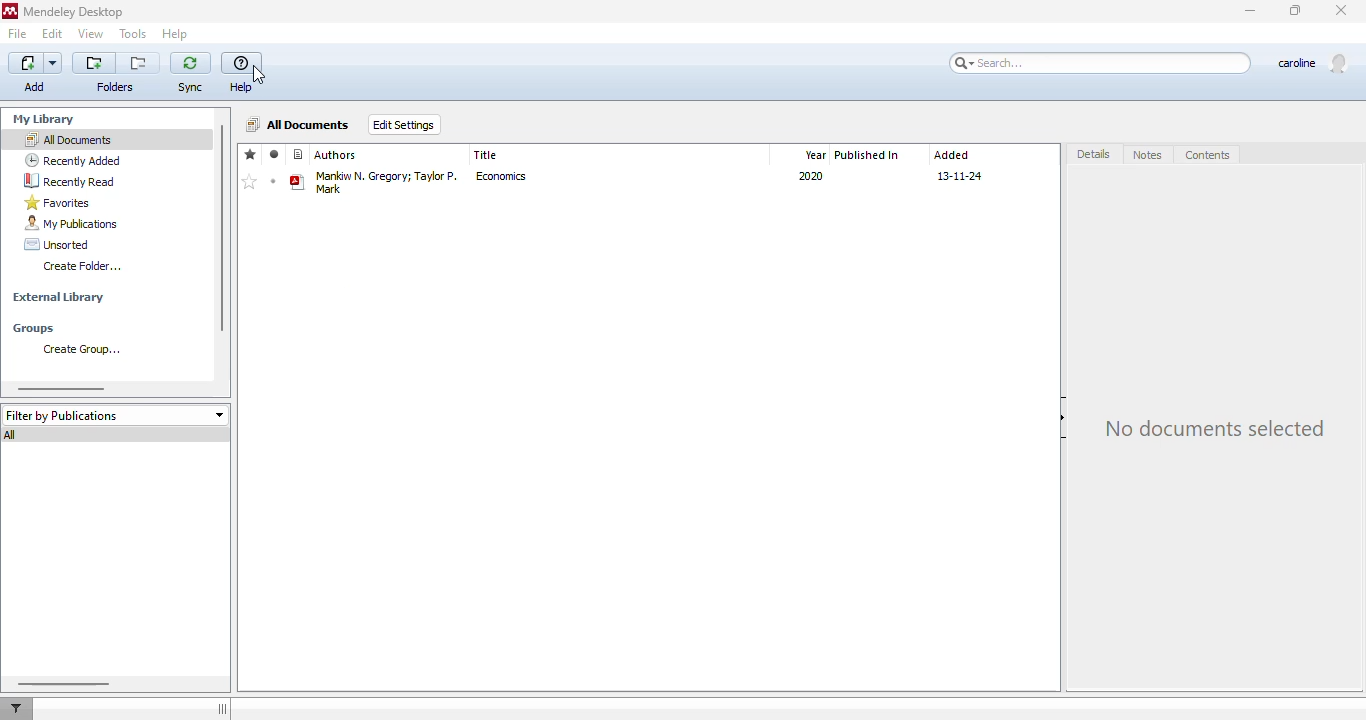 The width and height of the screenshot is (1366, 720). I want to click on details, so click(1093, 154).